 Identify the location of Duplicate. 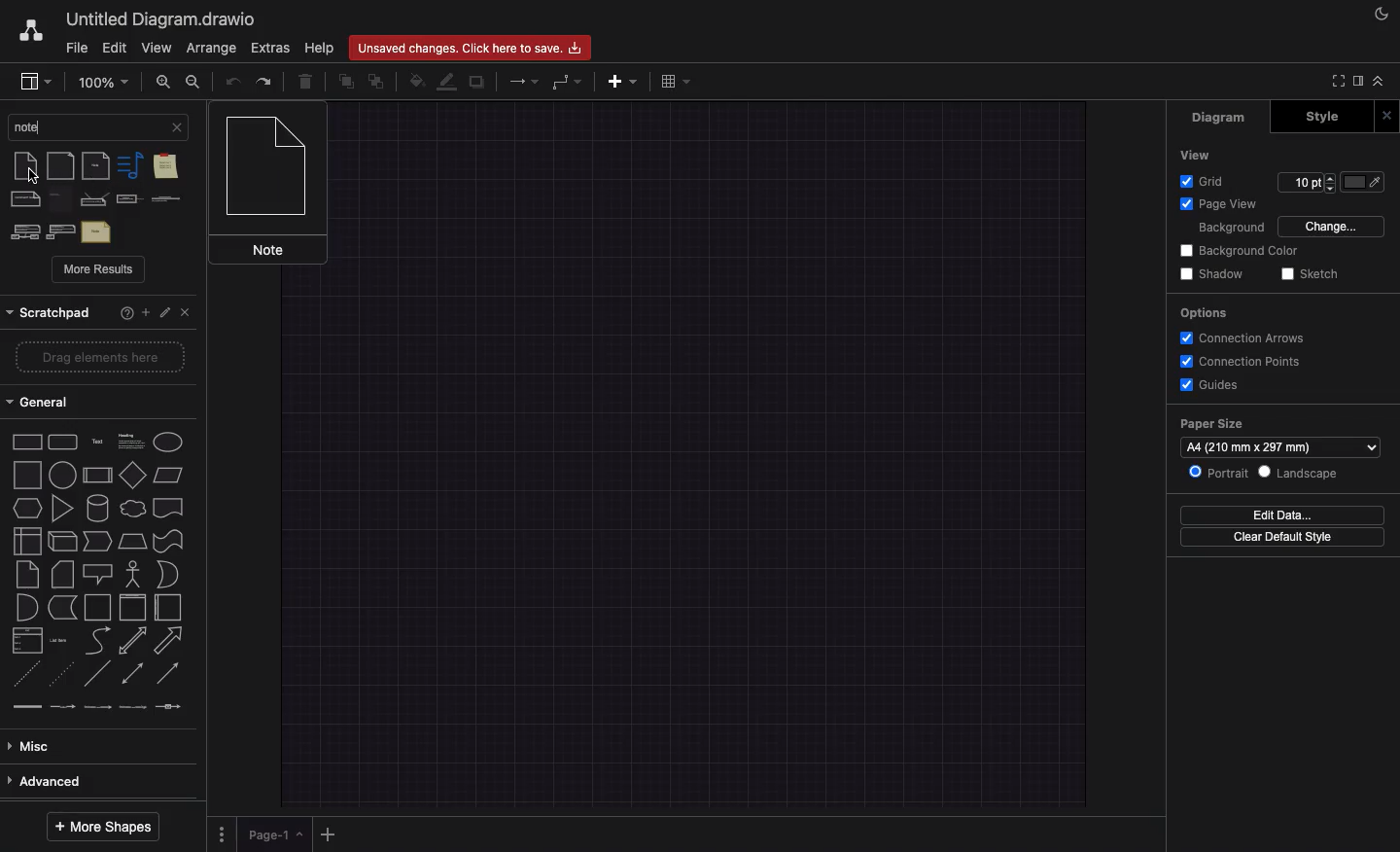
(476, 82).